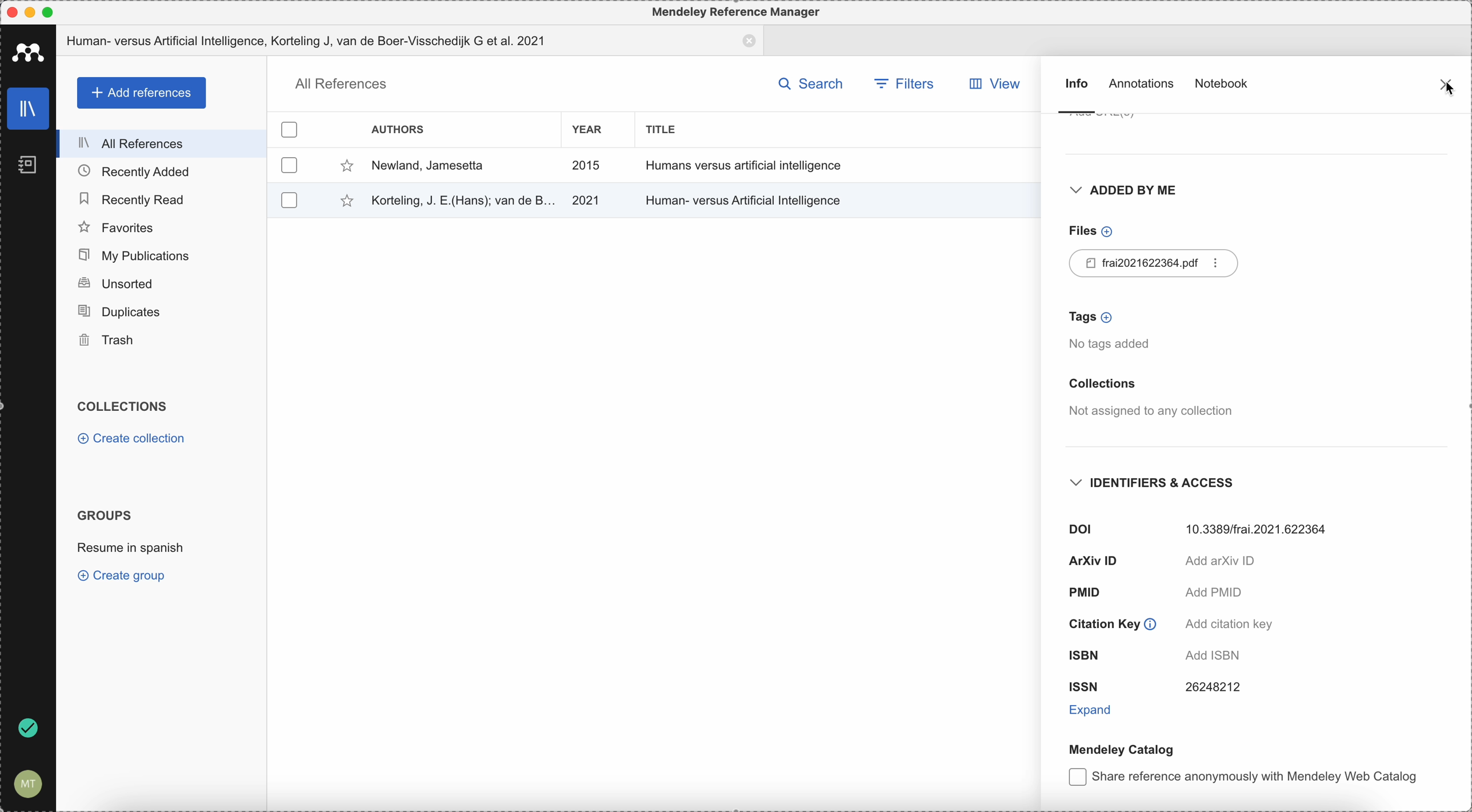  I want to click on minimize Mendeley, so click(33, 11).